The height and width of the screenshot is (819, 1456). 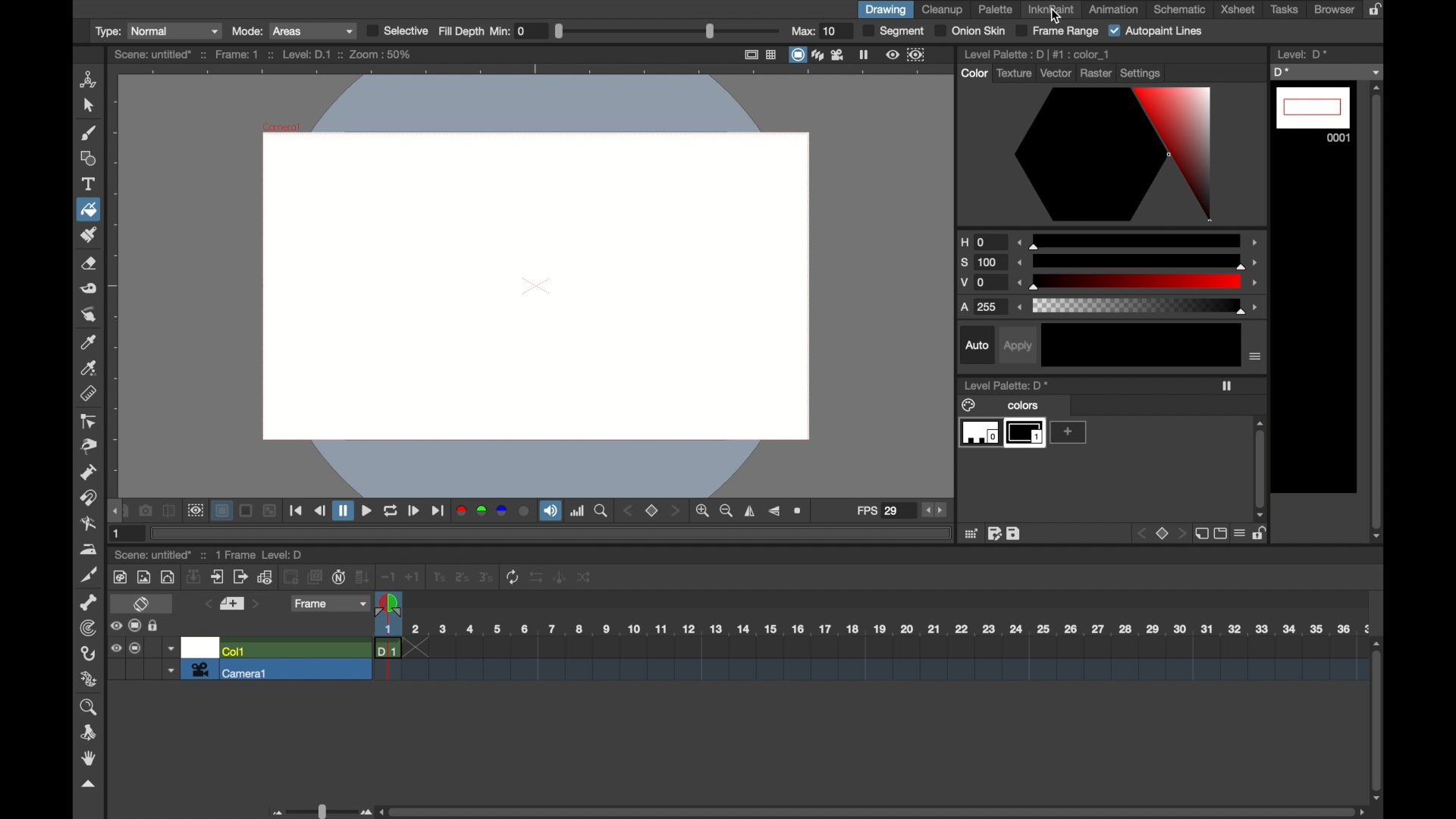 What do you see at coordinates (984, 284) in the screenshot?
I see `V` at bounding box center [984, 284].